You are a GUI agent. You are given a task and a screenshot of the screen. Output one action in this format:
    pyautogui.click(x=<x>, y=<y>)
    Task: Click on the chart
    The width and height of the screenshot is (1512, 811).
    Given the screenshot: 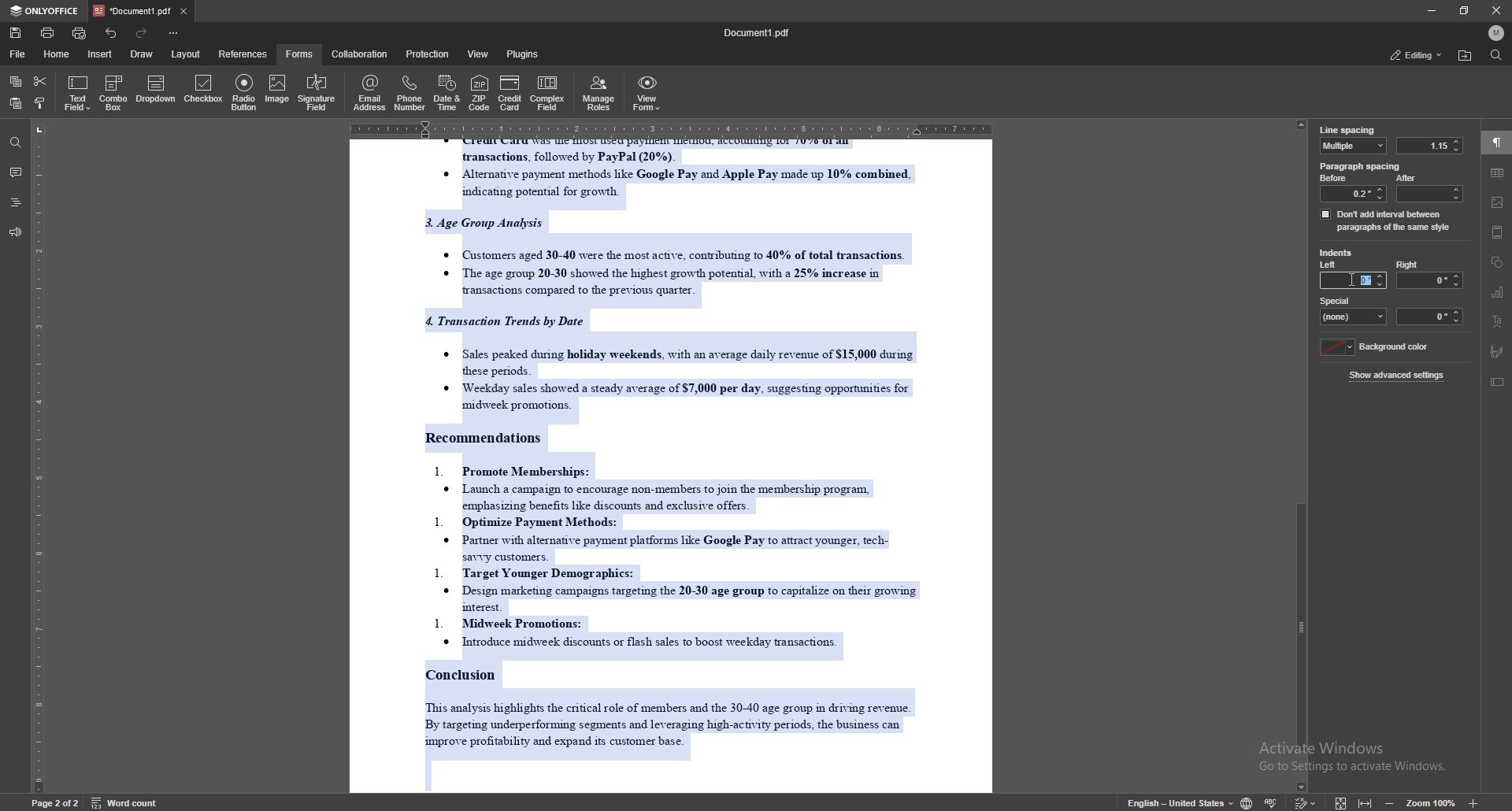 What is the action you would take?
    pyautogui.click(x=1498, y=293)
    